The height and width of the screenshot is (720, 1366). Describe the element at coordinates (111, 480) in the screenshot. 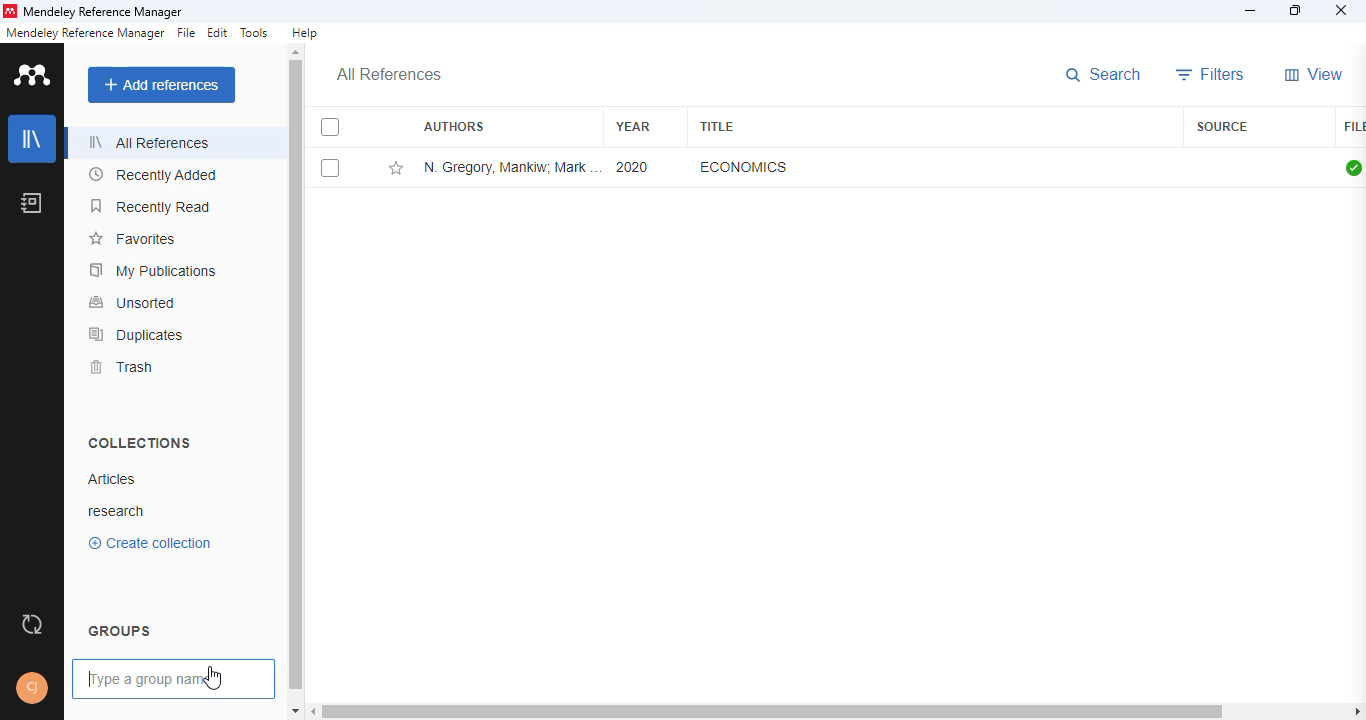

I see `articles` at that location.